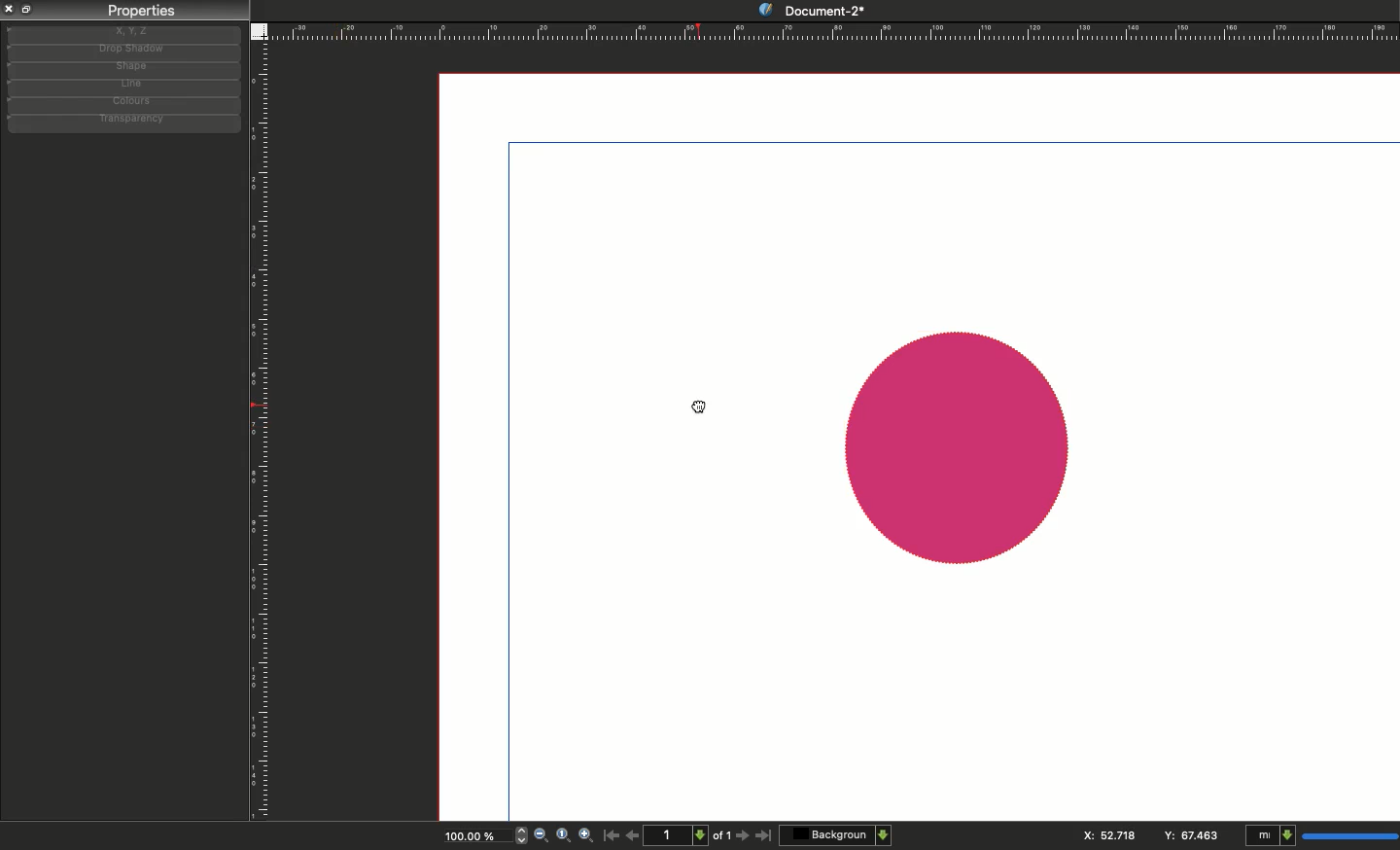 Image resolution: width=1400 pixels, height=850 pixels. I want to click on Next page, so click(745, 836).